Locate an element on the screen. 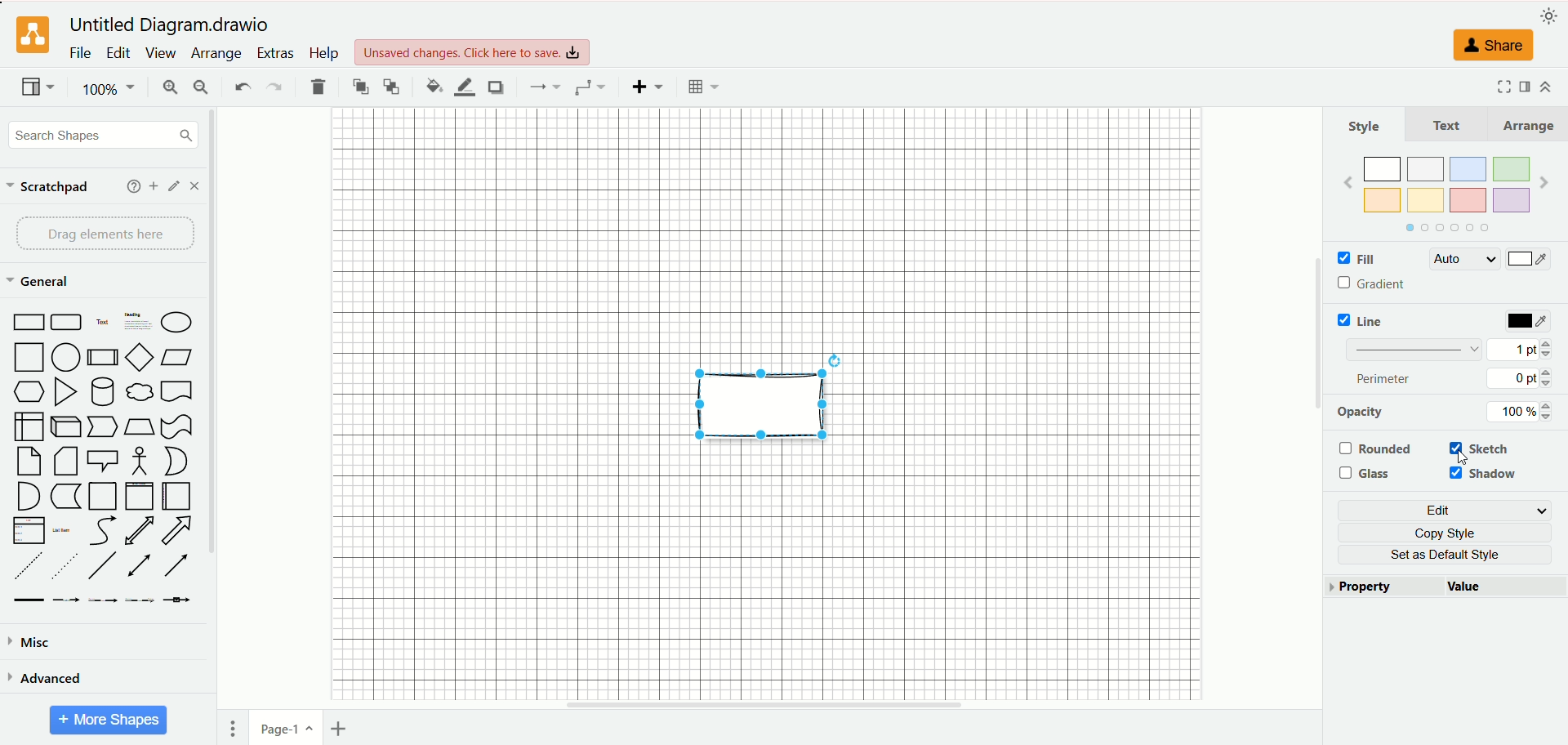 The image size is (1568, 745). connection is located at coordinates (542, 87).